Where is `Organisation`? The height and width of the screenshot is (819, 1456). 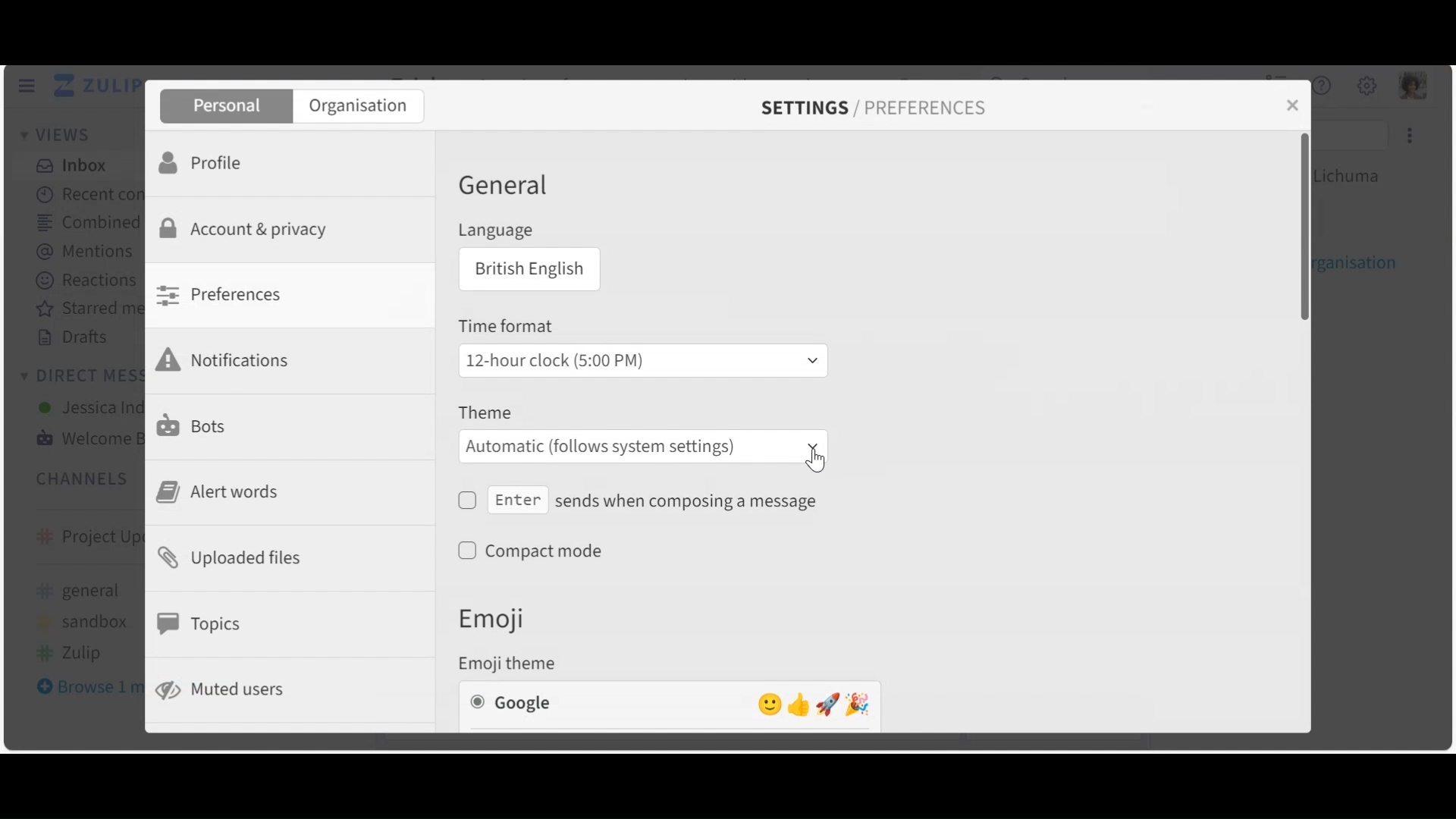
Organisation is located at coordinates (361, 107).